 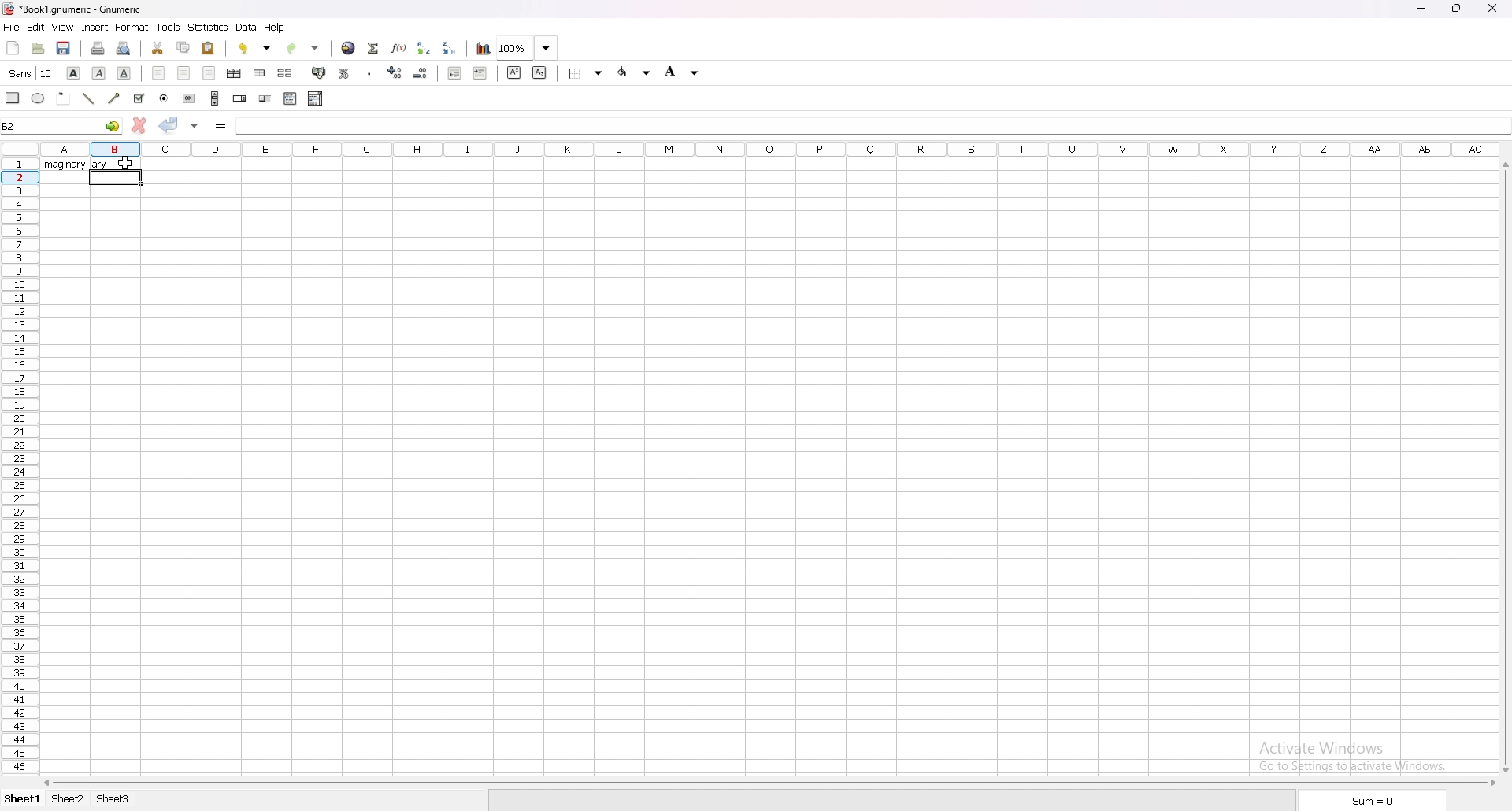 I want to click on paste, so click(x=209, y=48).